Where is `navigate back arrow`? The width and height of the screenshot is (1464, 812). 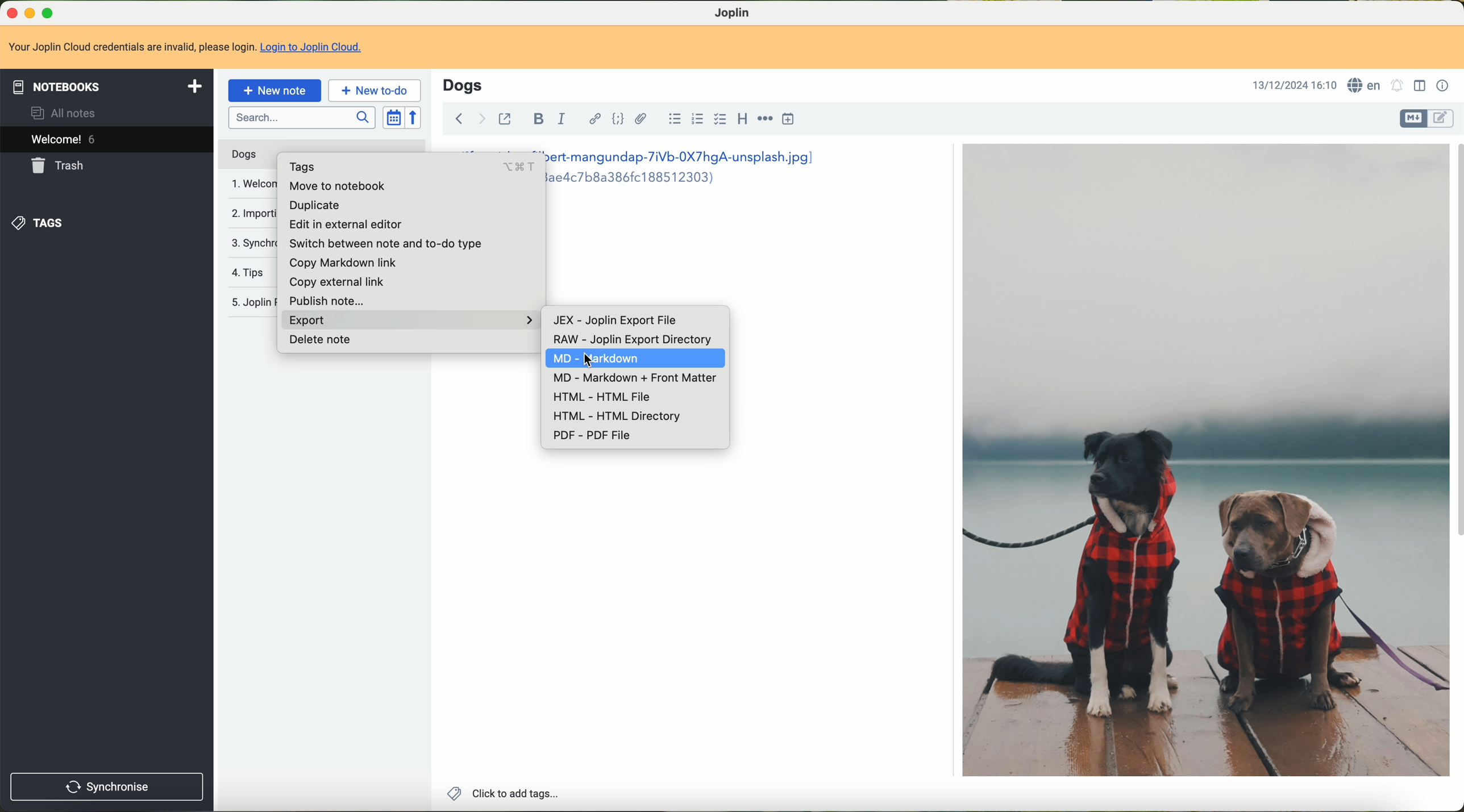 navigate back arrow is located at coordinates (457, 117).